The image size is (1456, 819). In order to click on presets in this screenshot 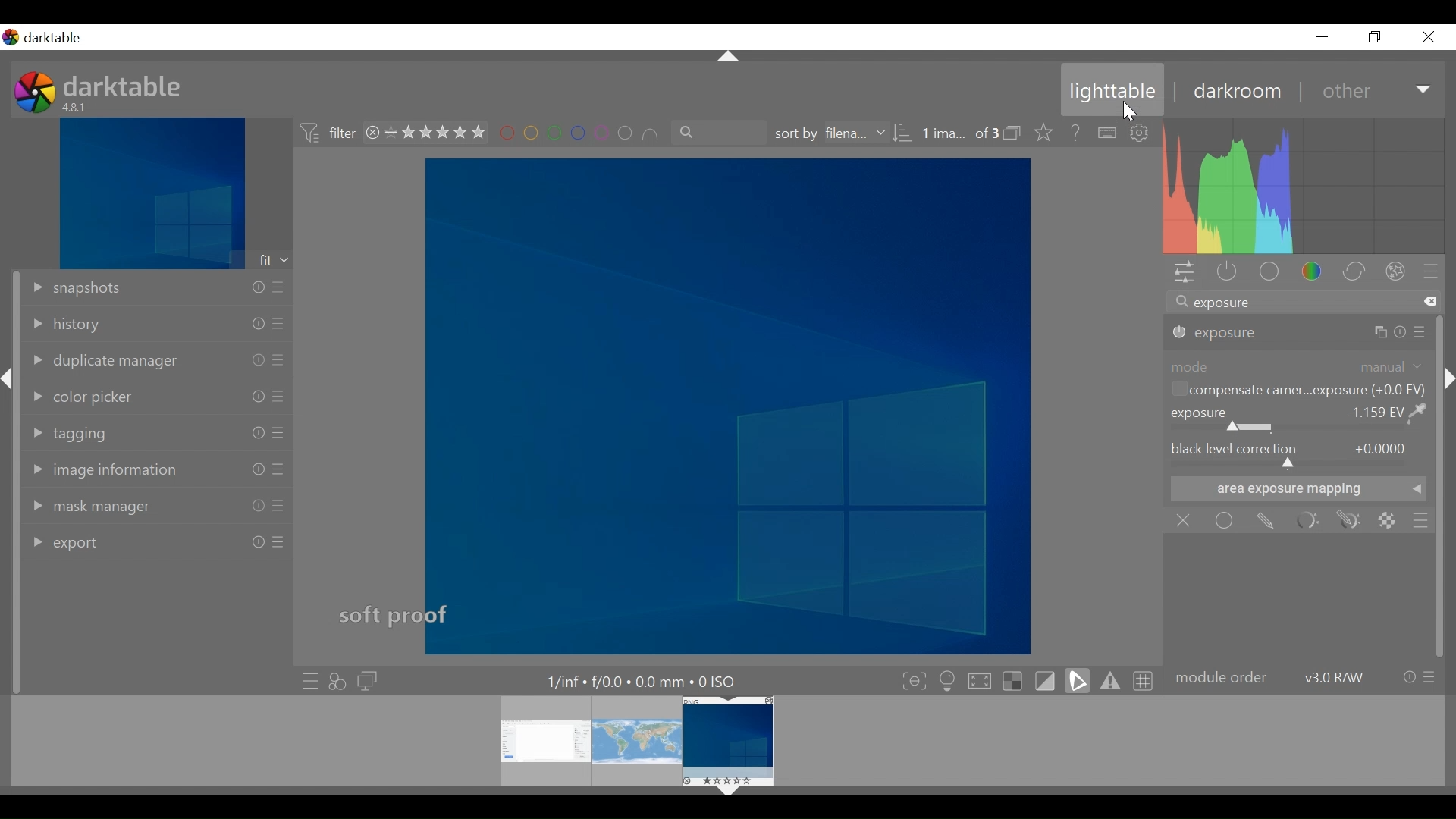, I will do `click(278, 507)`.